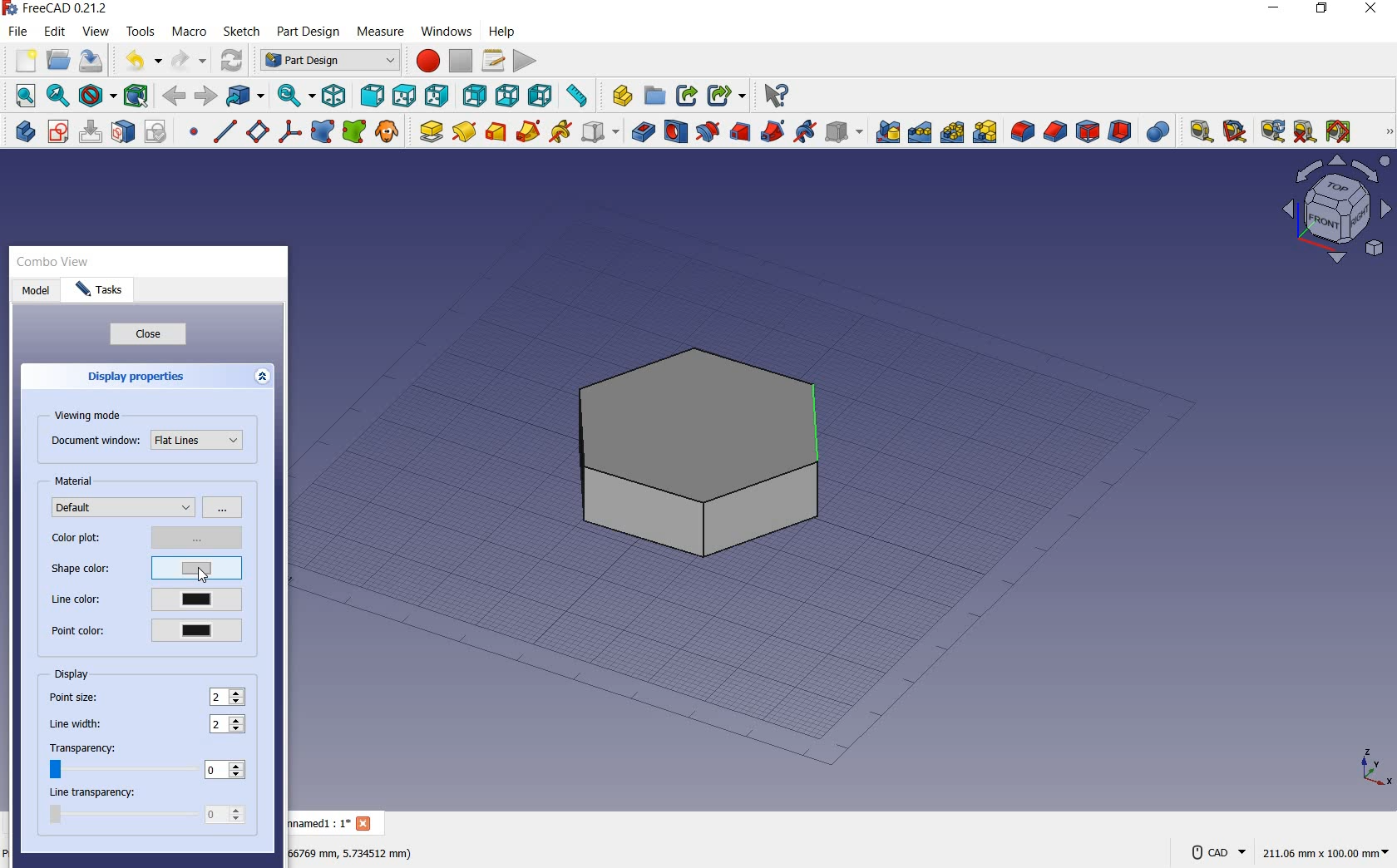 The width and height of the screenshot is (1397, 868). I want to click on additive loft, so click(496, 131).